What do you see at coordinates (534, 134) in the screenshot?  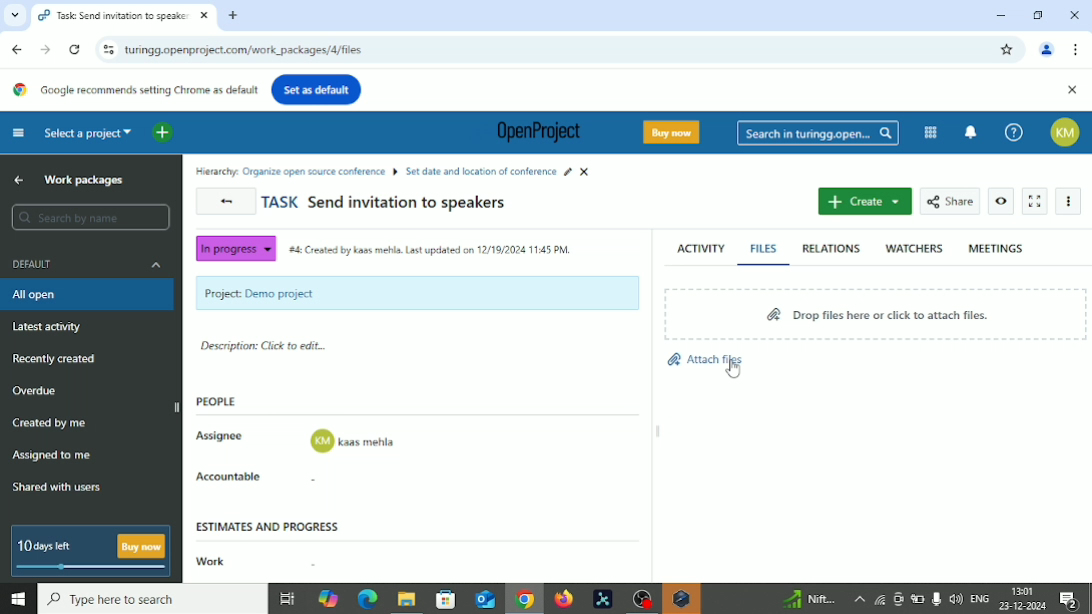 I see `OpenProject` at bounding box center [534, 134].